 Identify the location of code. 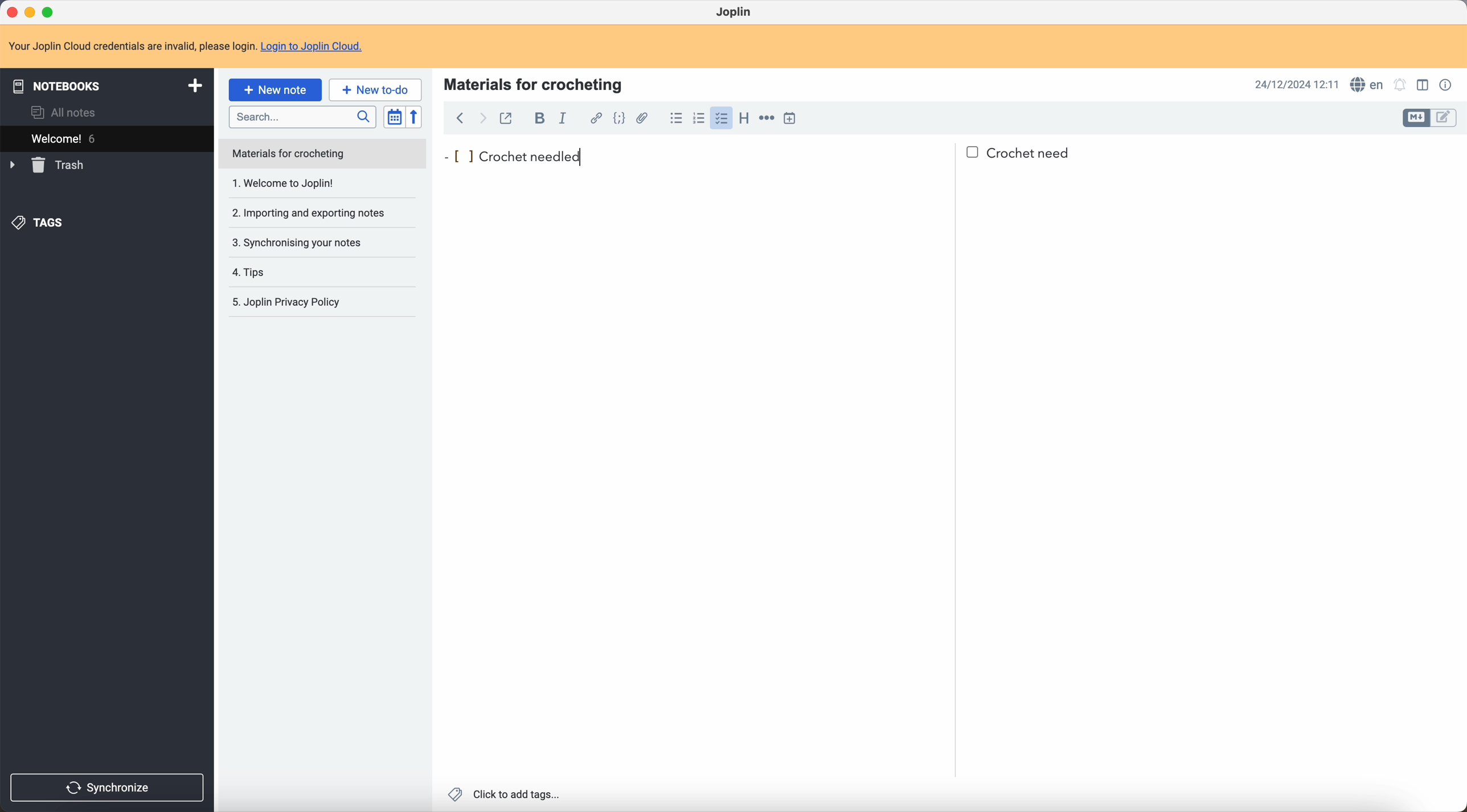
(621, 119).